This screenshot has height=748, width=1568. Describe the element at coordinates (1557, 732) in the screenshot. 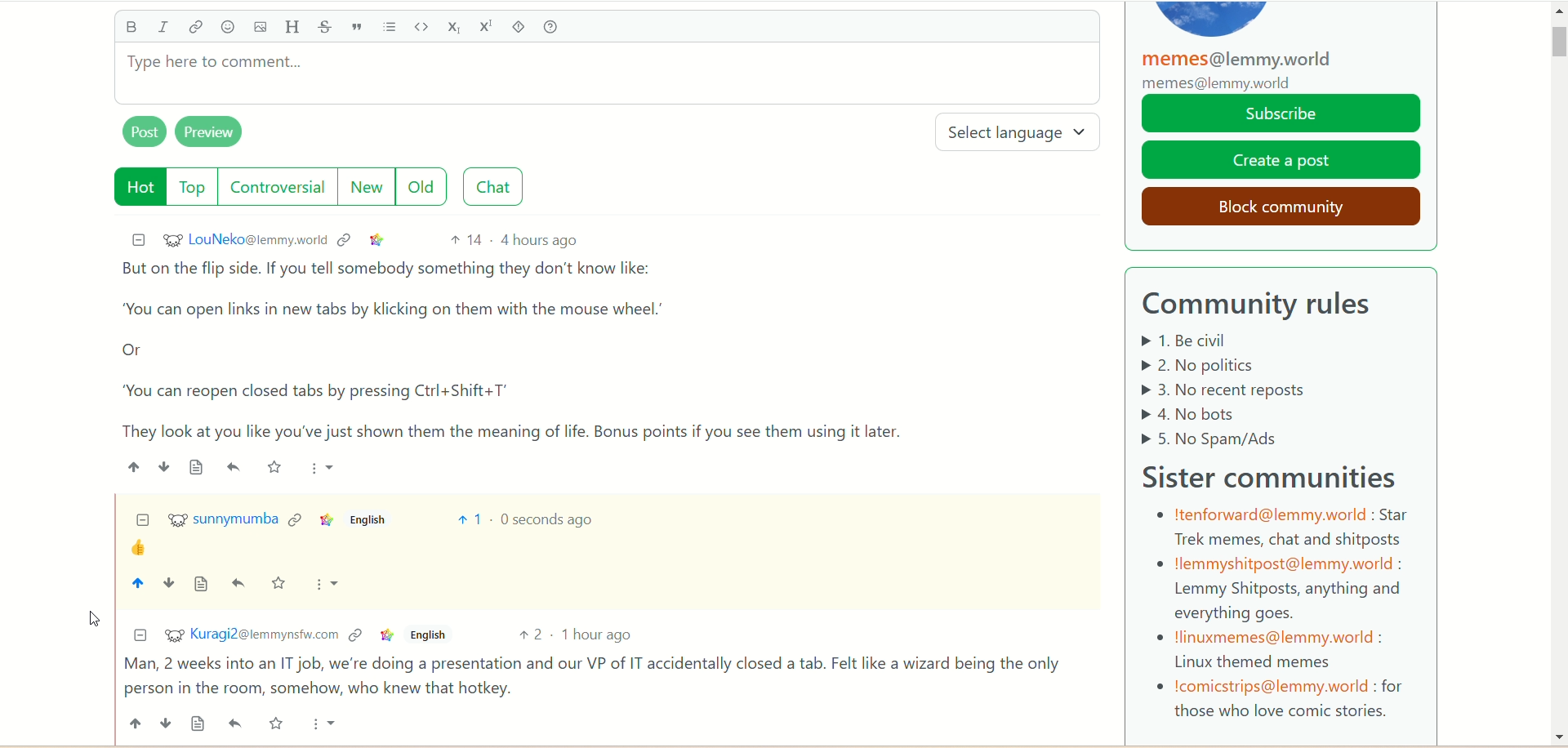

I see `Scroll down arrow` at that location.